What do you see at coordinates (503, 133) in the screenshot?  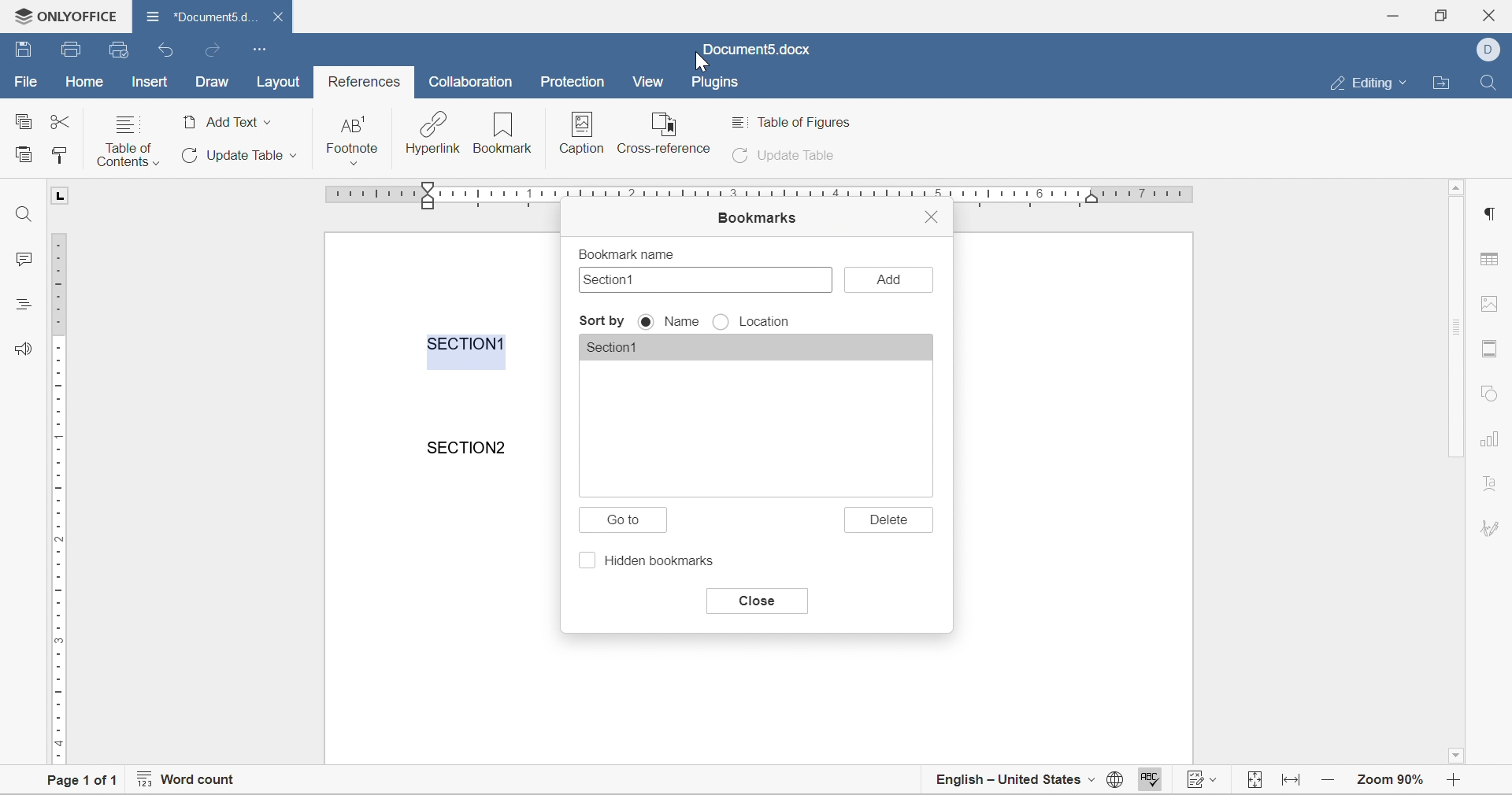 I see `bookmark` at bounding box center [503, 133].